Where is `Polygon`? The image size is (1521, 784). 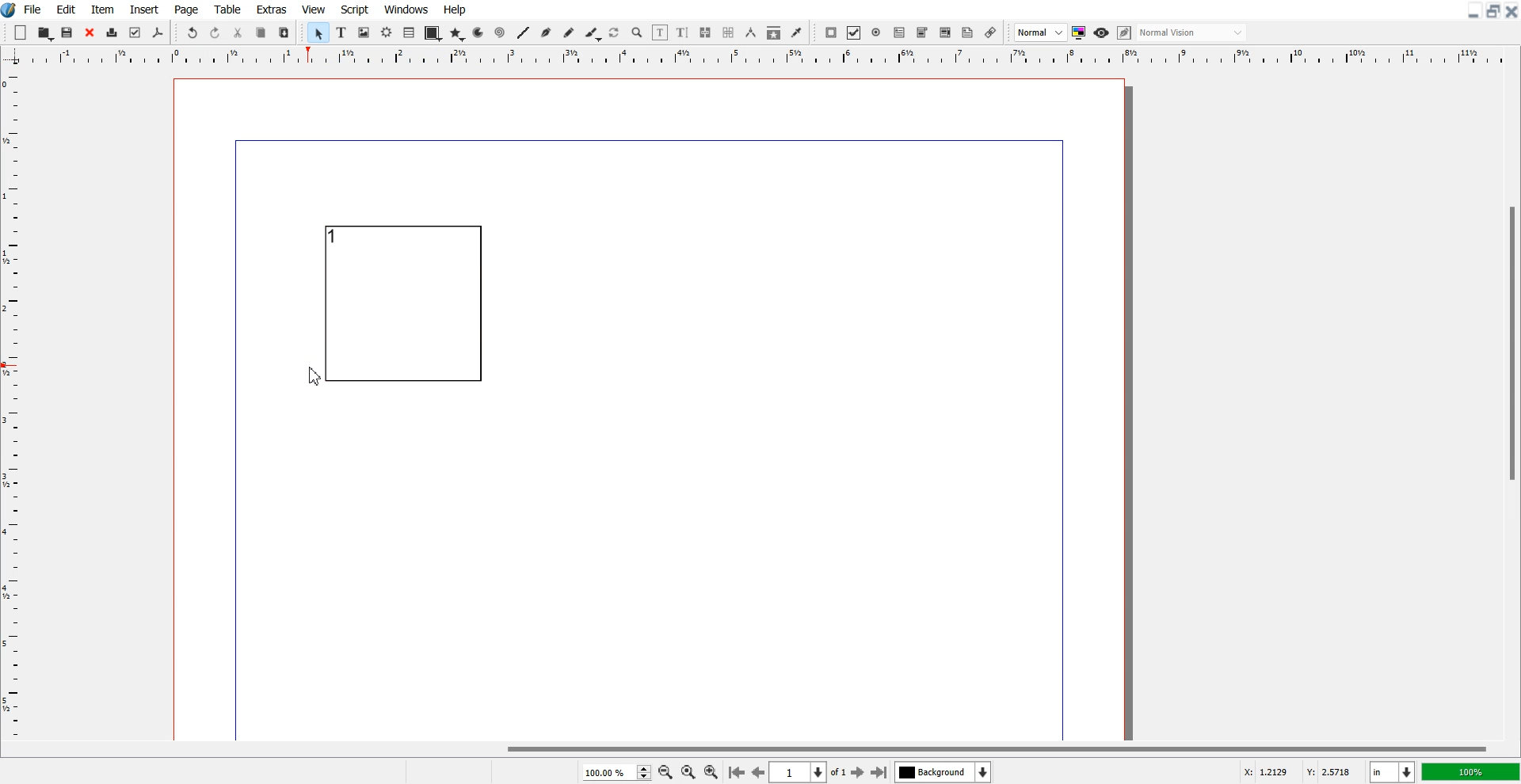 Polygon is located at coordinates (457, 33).